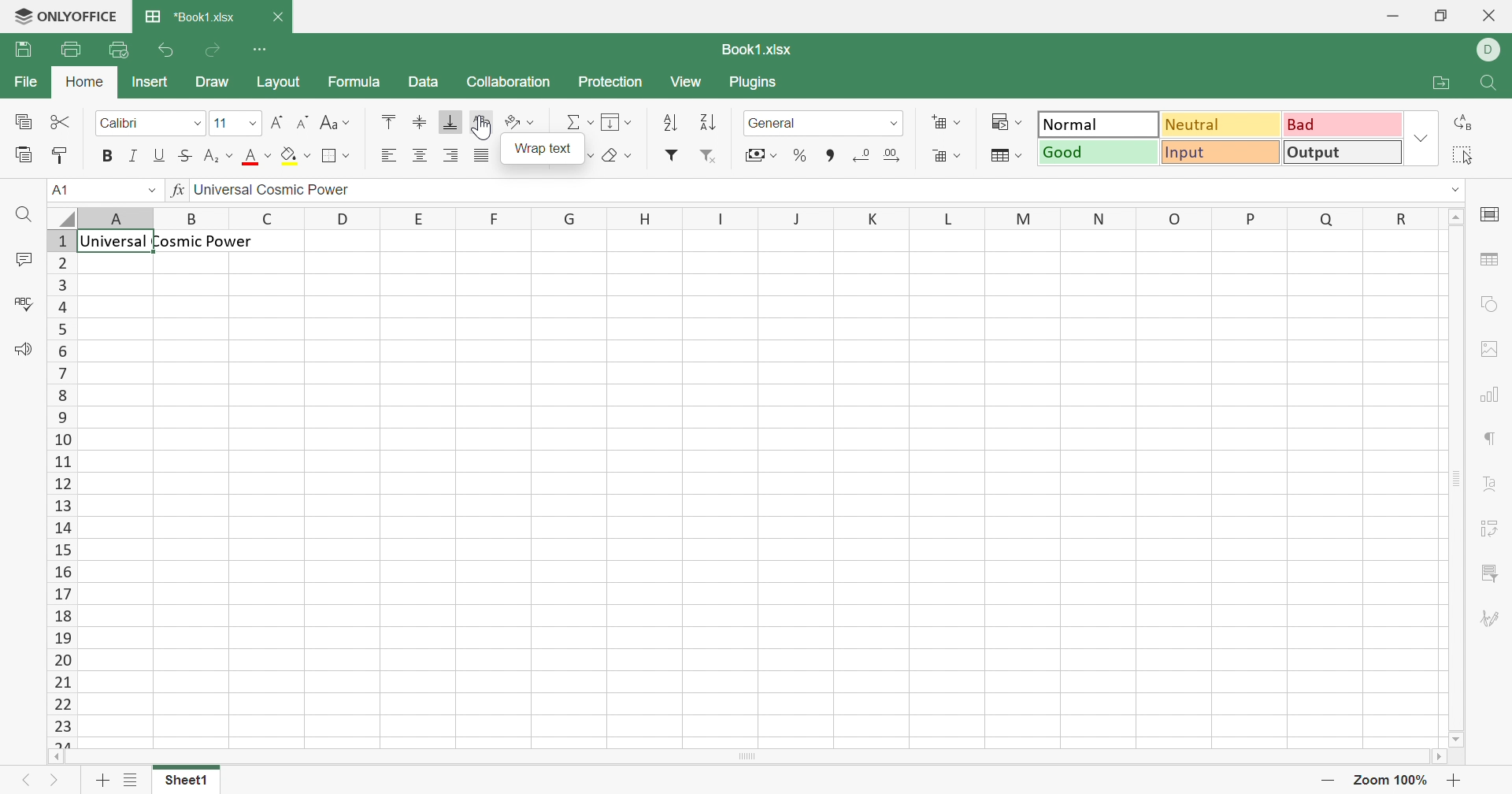  I want to click on Copy Style, so click(58, 157).